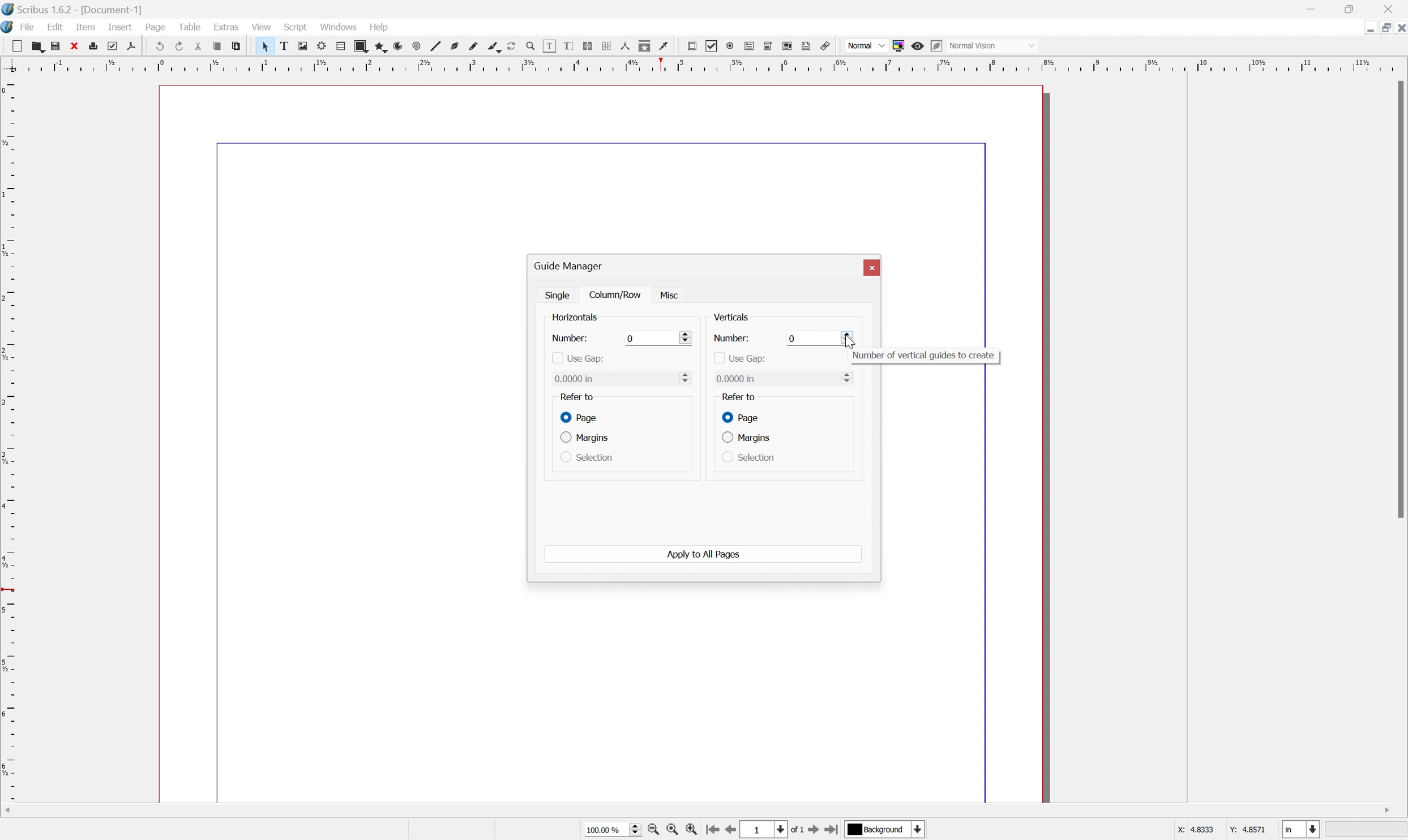 This screenshot has height=840, width=1408. What do you see at coordinates (237, 46) in the screenshot?
I see `paste` at bounding box center [237, 46].